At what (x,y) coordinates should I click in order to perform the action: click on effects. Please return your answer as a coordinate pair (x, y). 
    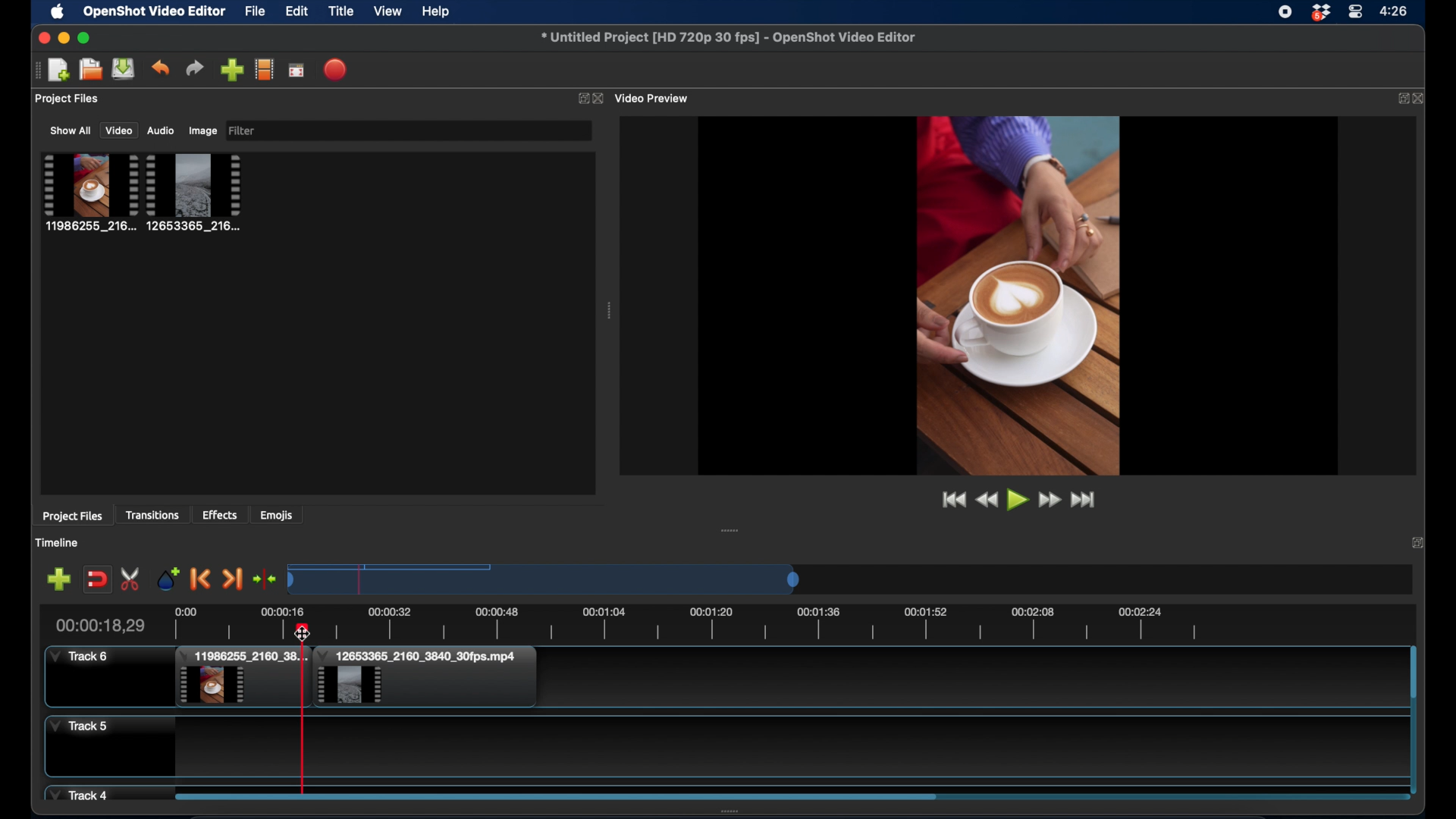
    Looking at the image, I should click on (221, 515).